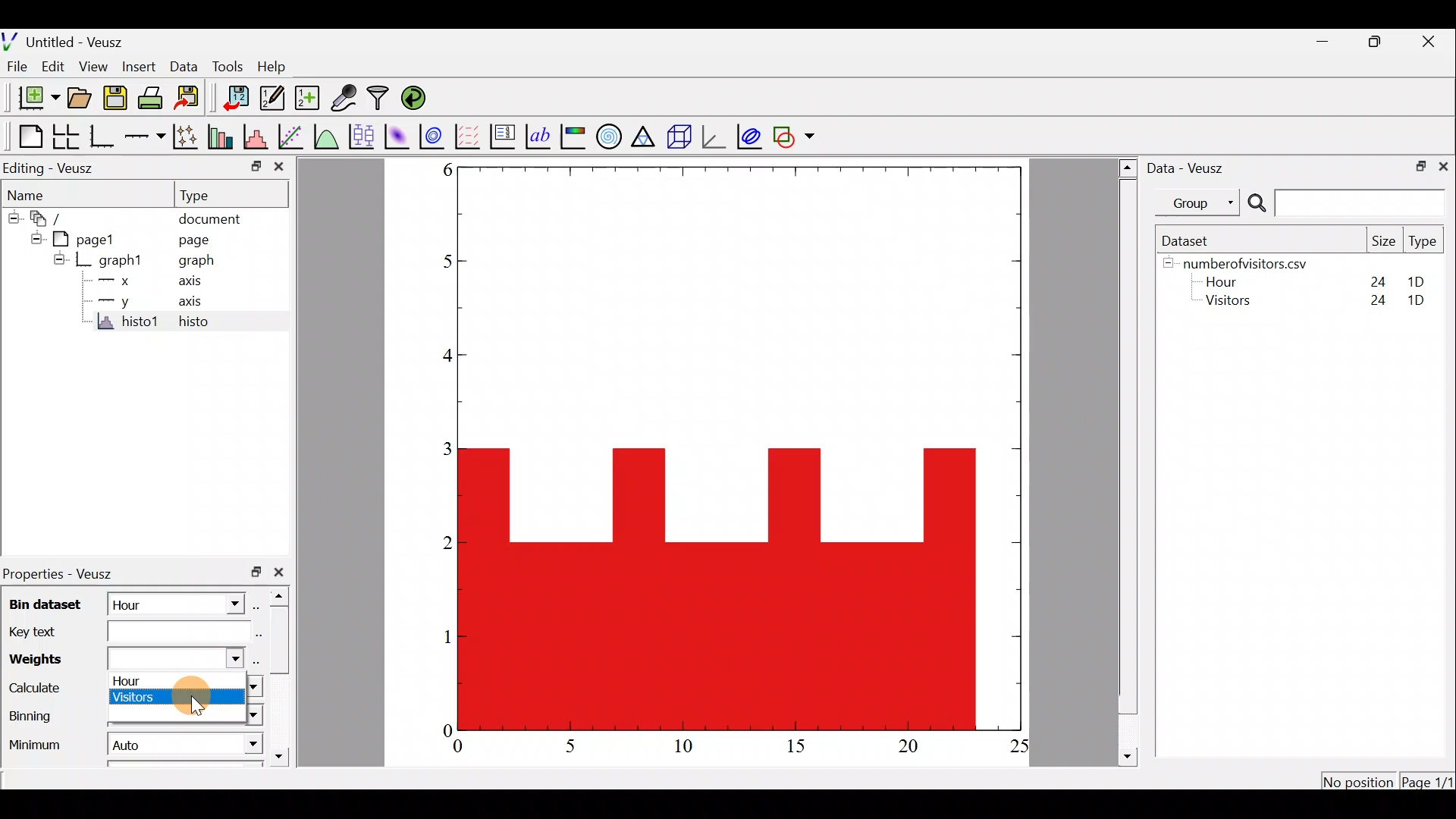 This screenshot has width=1456, height=819. What do you see at coordinates (573, 136) in the screenshot?
I see `image color bar` at bounding box center [573, 136].